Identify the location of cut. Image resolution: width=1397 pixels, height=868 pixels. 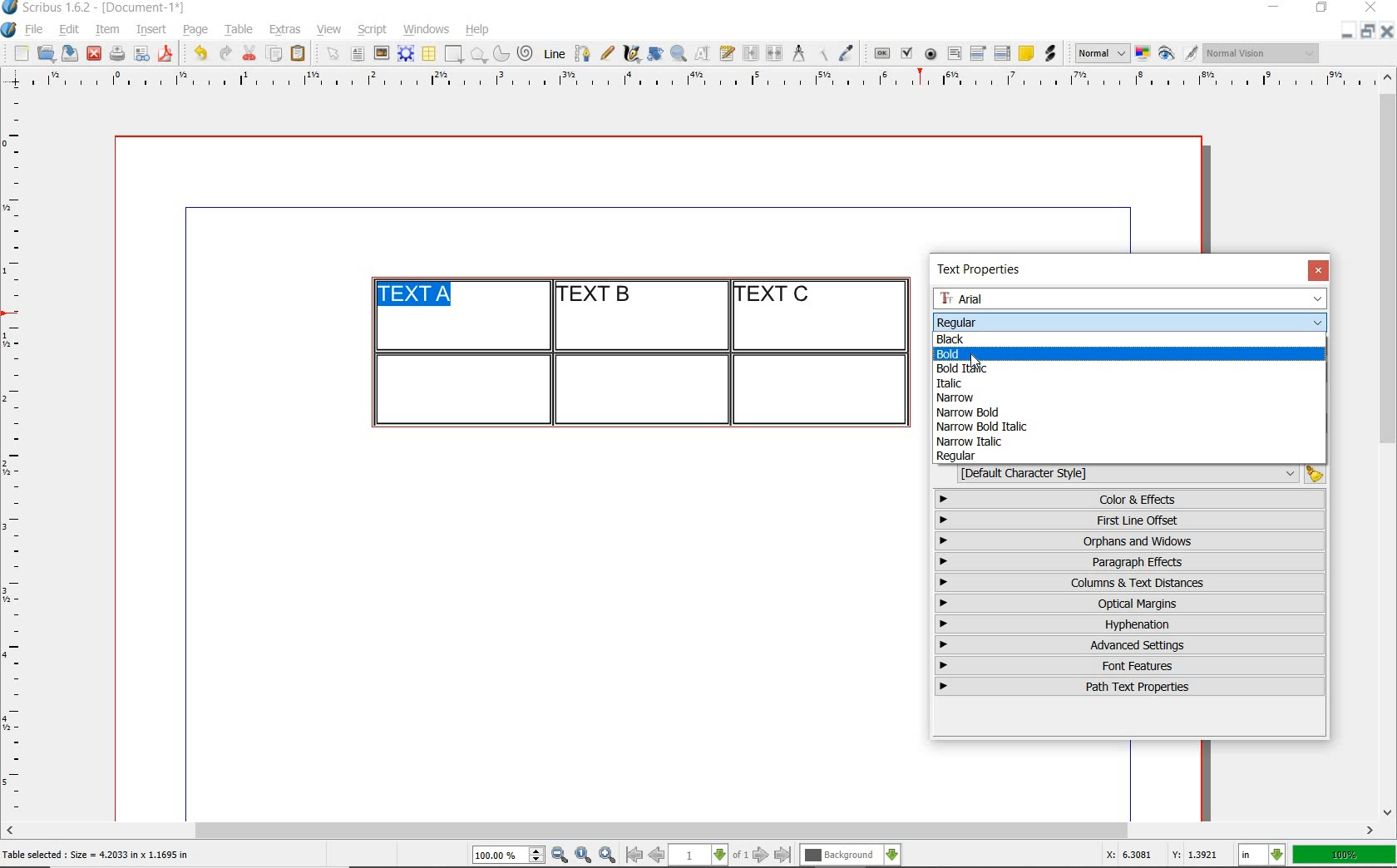
(249, 52).